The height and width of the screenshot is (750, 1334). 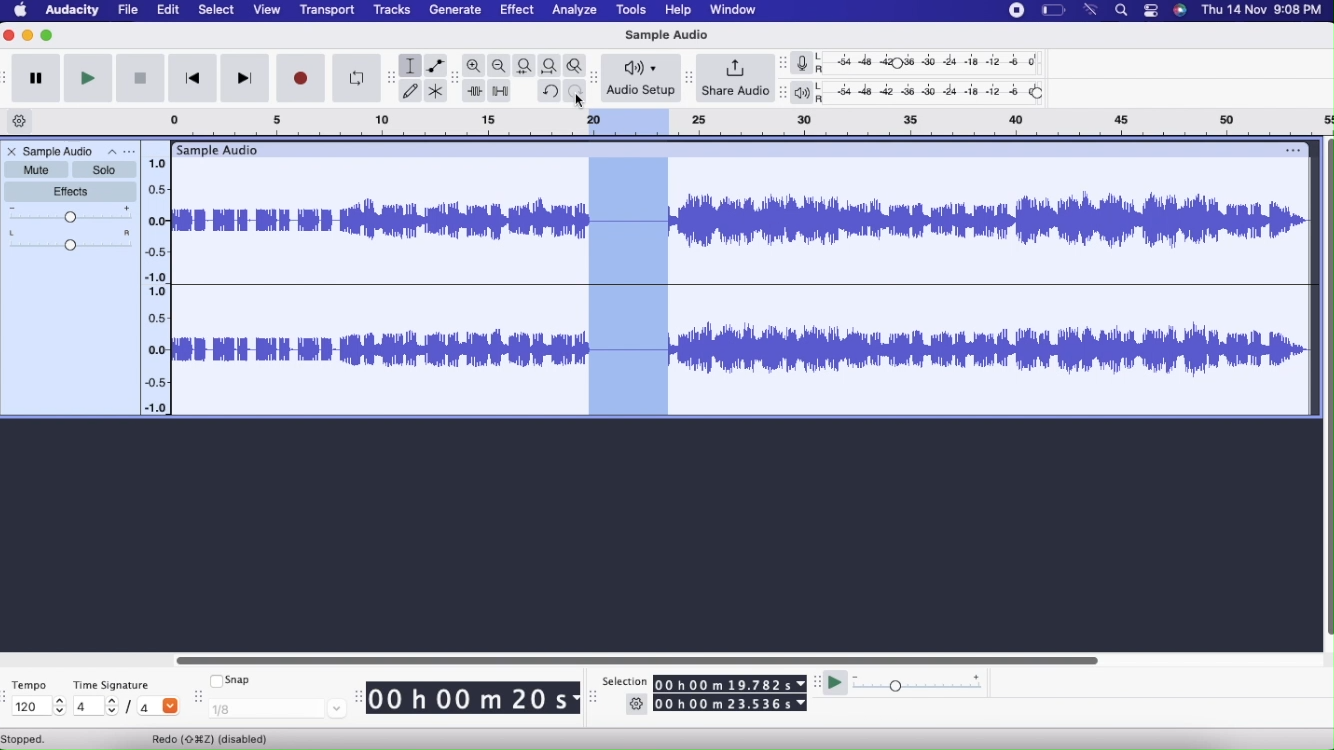 What do you see at coordinates (169, 10) in the screenshot?
I see `Edit` at bounding box center [169, 10].